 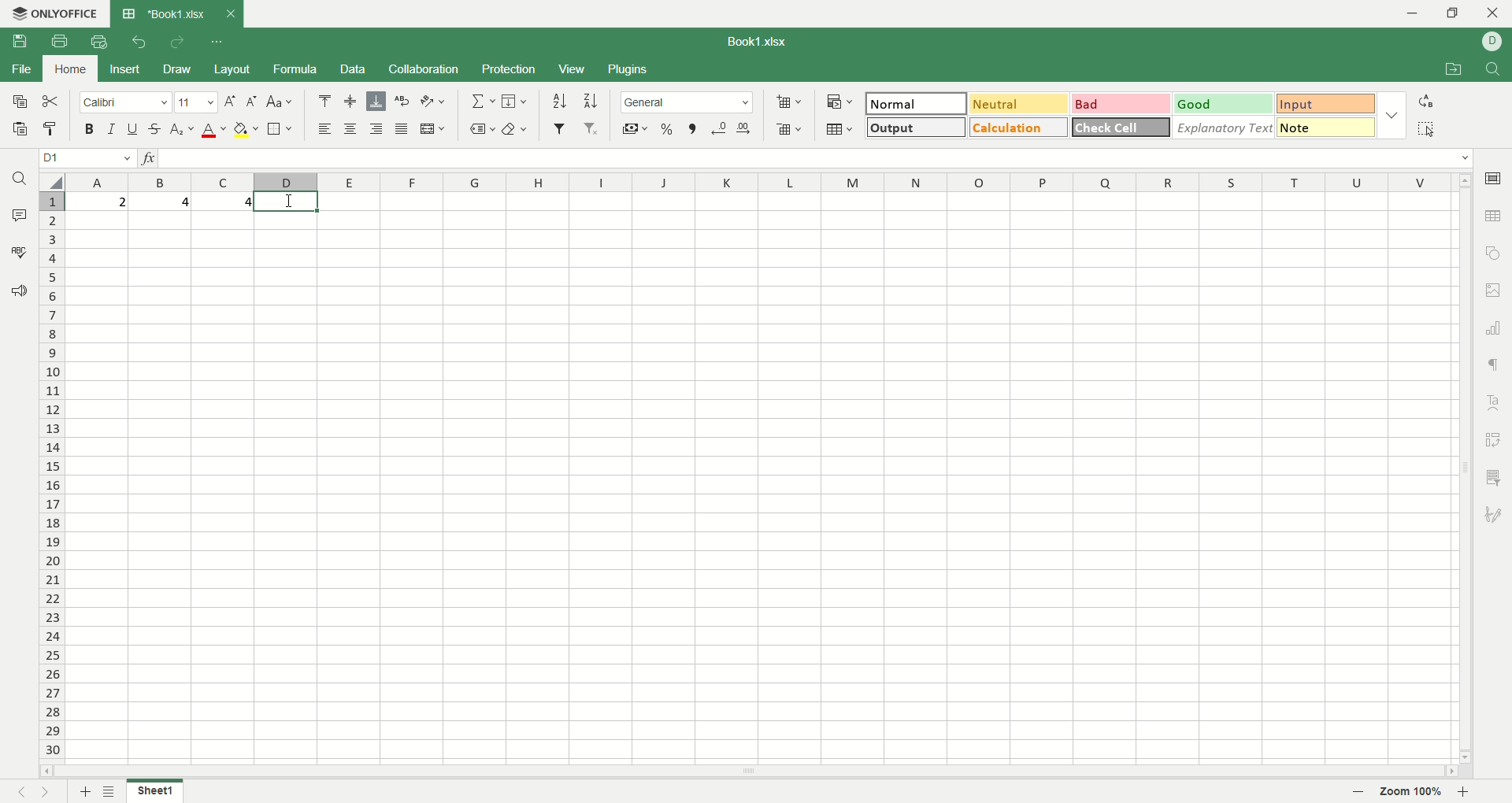 I want to click on orientation, so click(x=435, y=102).